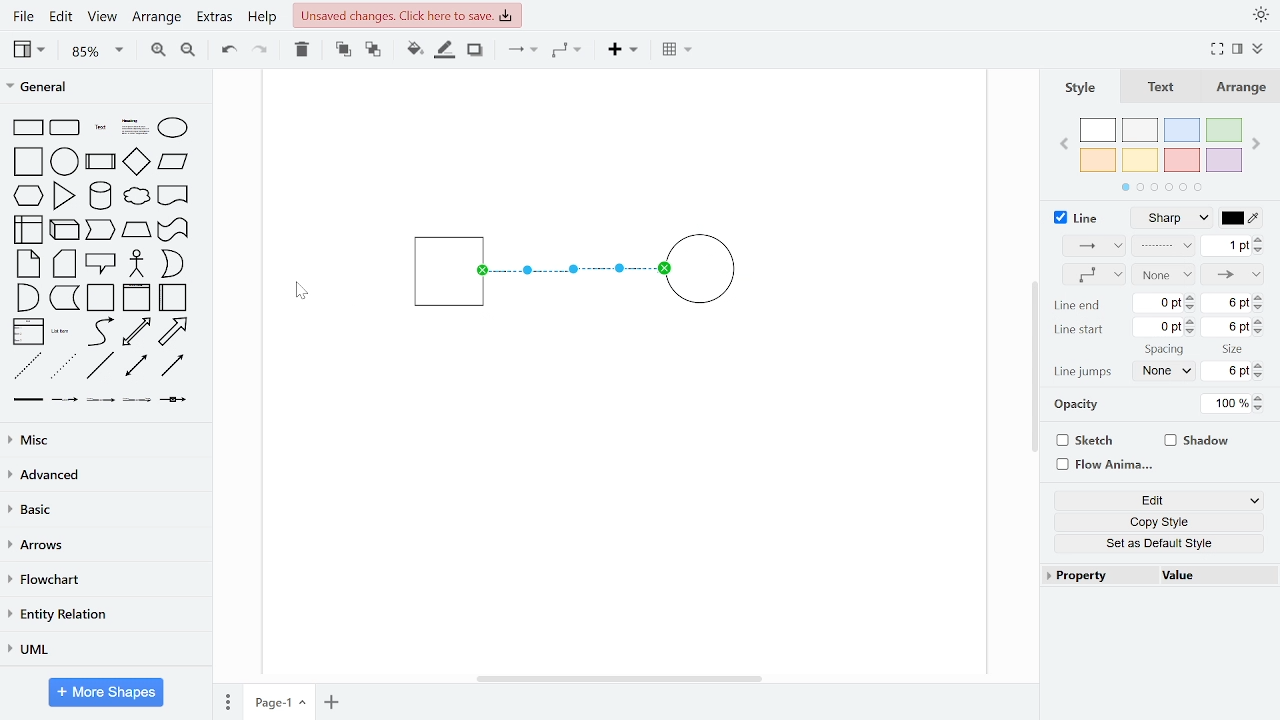 The height and width of the screenshot is (720, 1280). I want to click on line end, so click(1234, 273).